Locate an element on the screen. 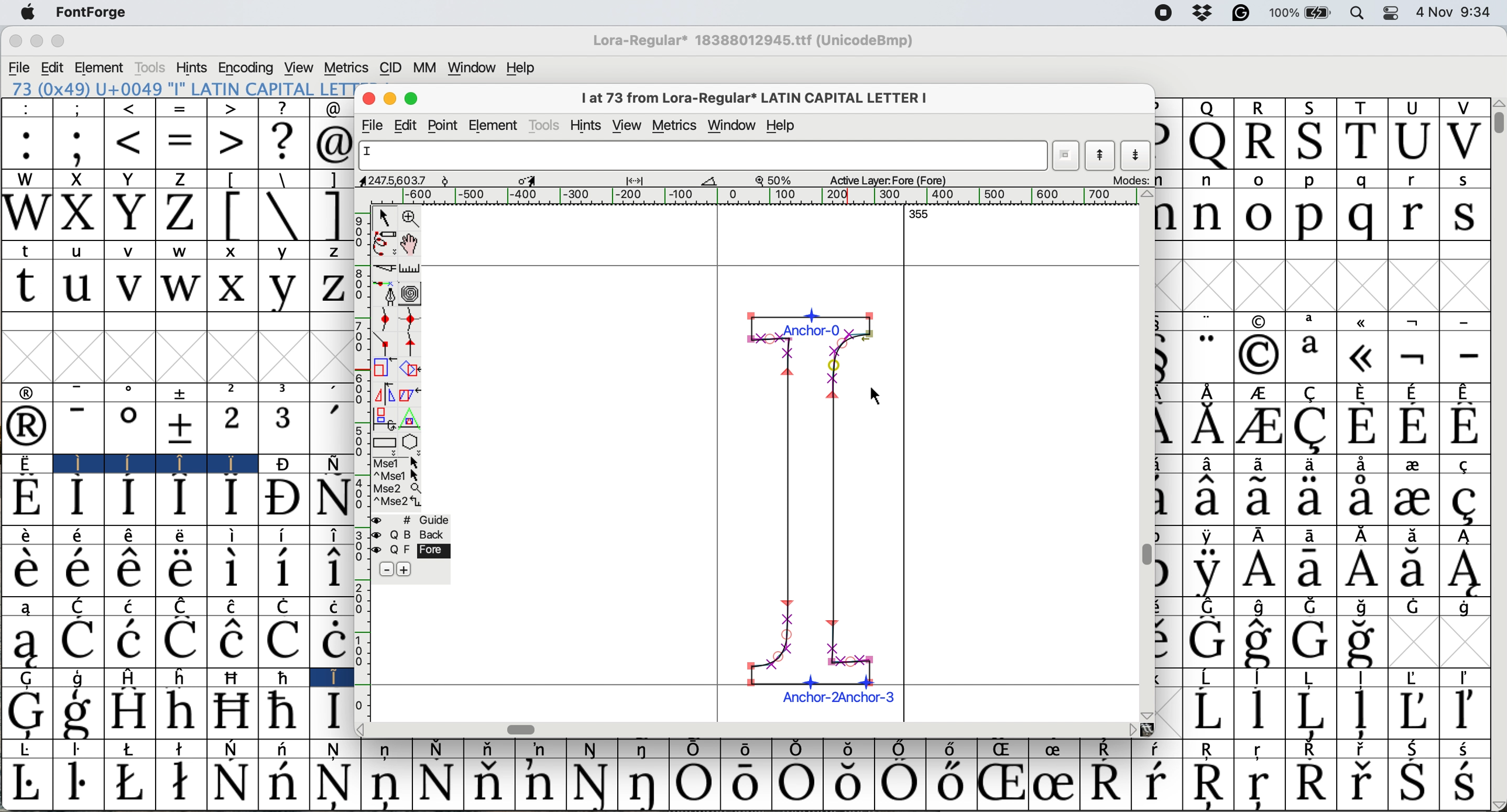 Image resolution: width=1507 pixels, height=812 pixels. - is located at coordinates (1466, 356).